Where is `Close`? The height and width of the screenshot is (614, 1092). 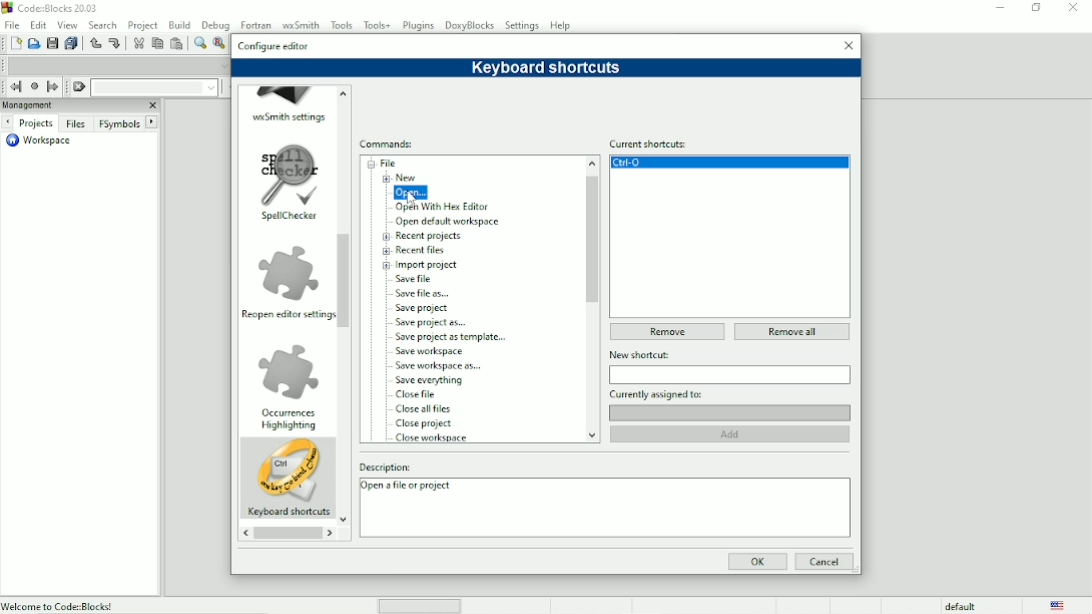
Close is located at coordinates (1073, 8).